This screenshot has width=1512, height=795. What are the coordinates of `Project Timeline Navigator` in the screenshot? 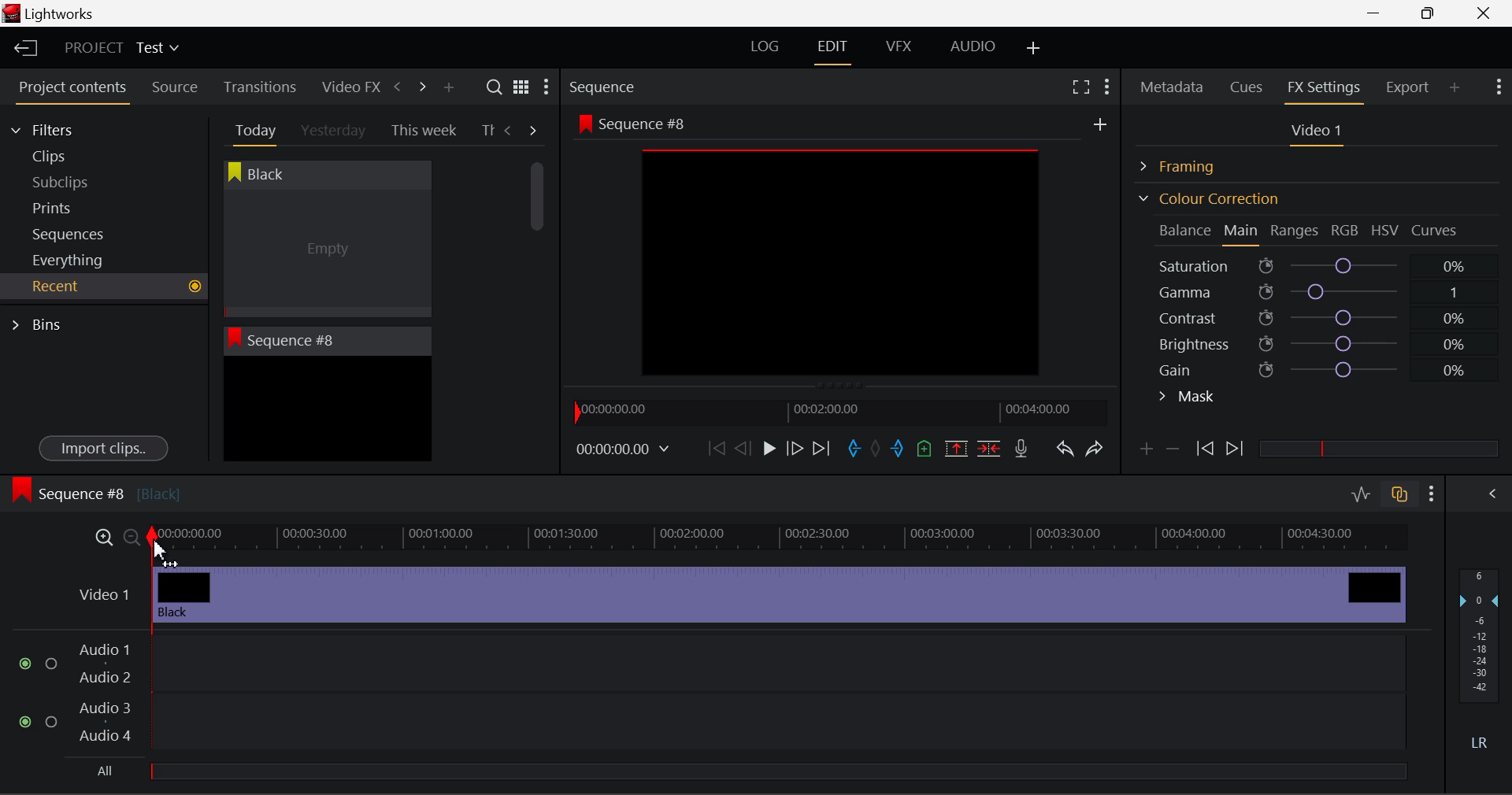 It's located at (838, 412).